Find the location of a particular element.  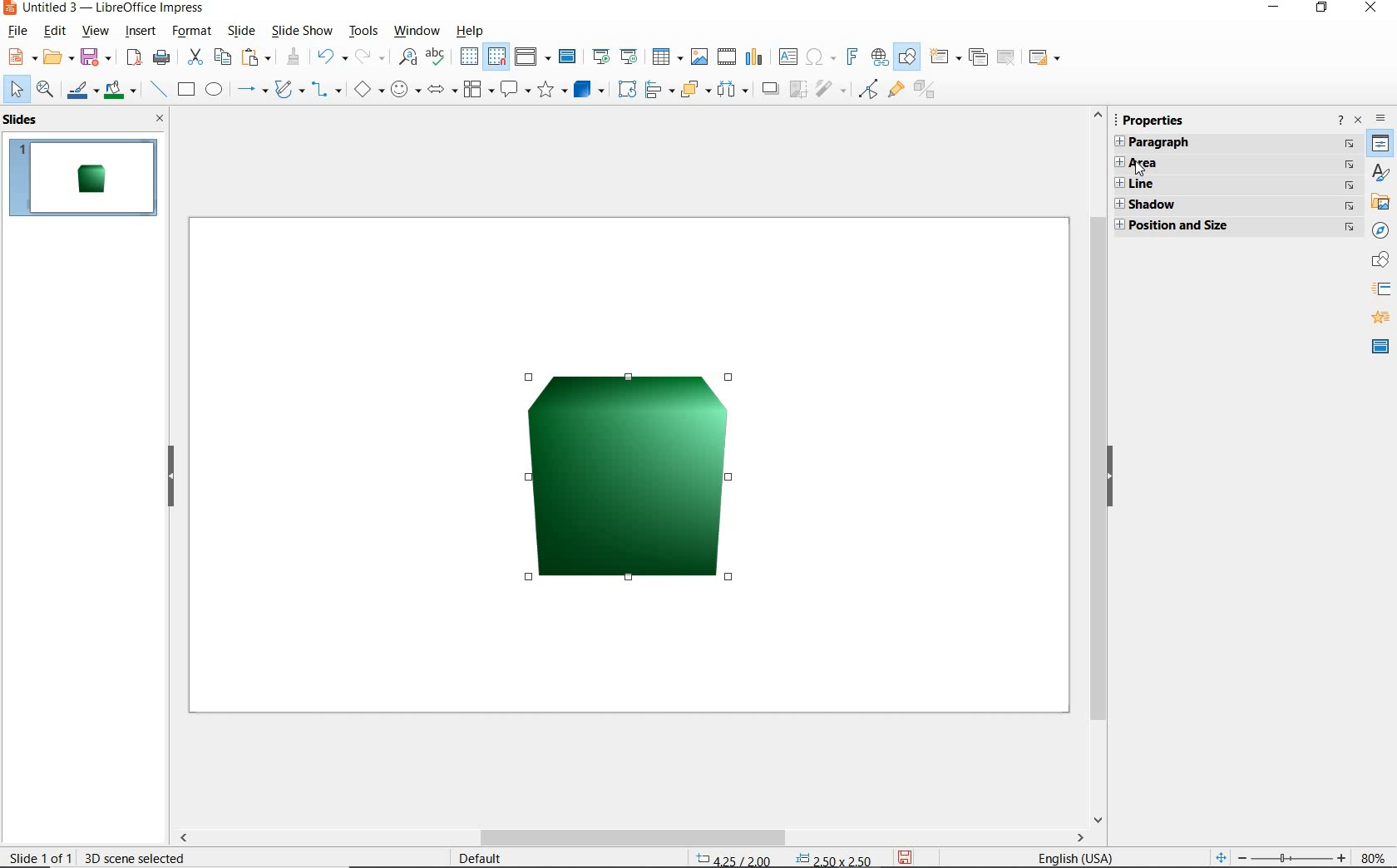

insert special characters is located at coordinates (822, 57).